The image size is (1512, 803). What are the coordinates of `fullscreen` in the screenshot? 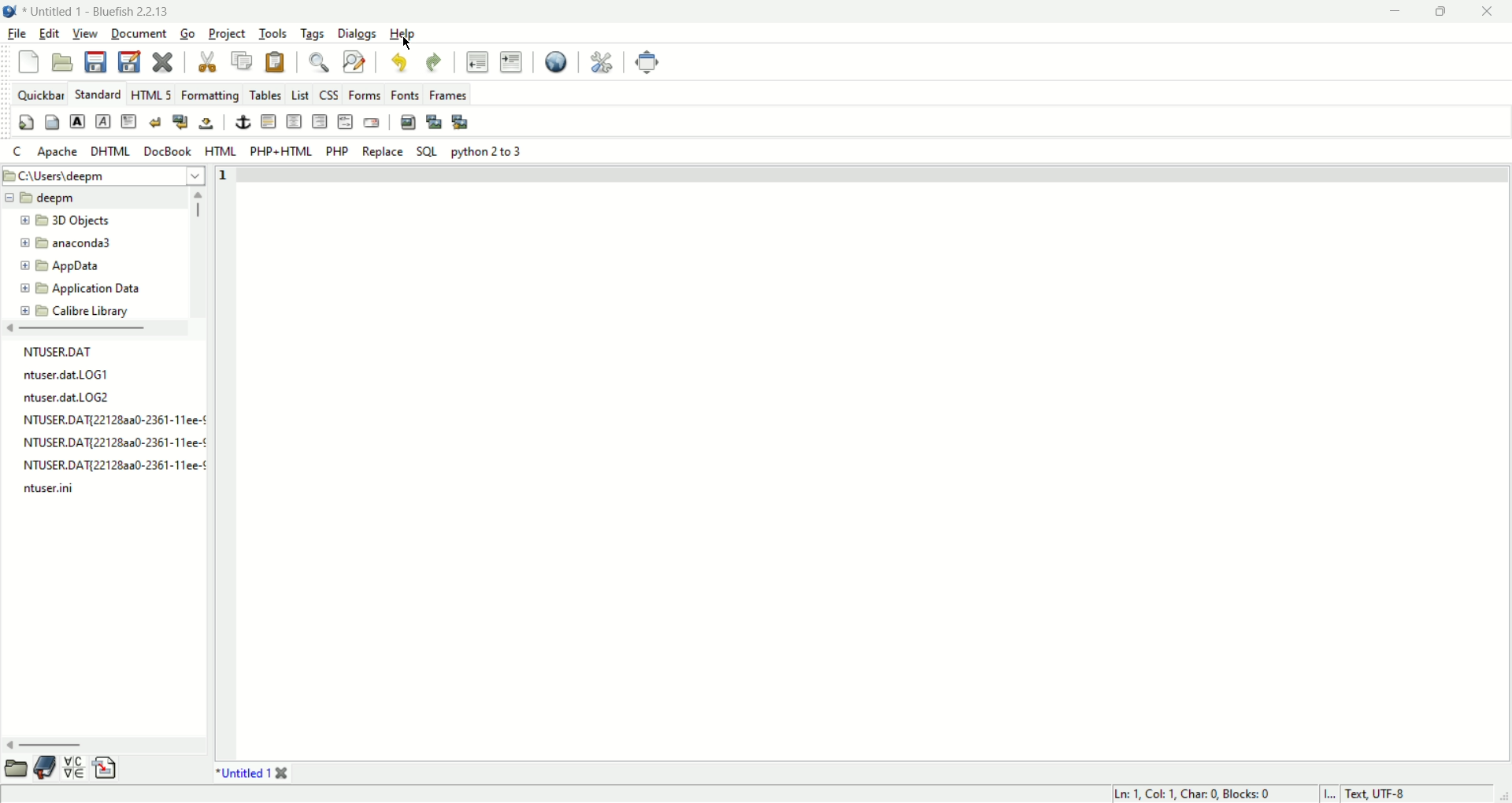 It's located at (646, 64).